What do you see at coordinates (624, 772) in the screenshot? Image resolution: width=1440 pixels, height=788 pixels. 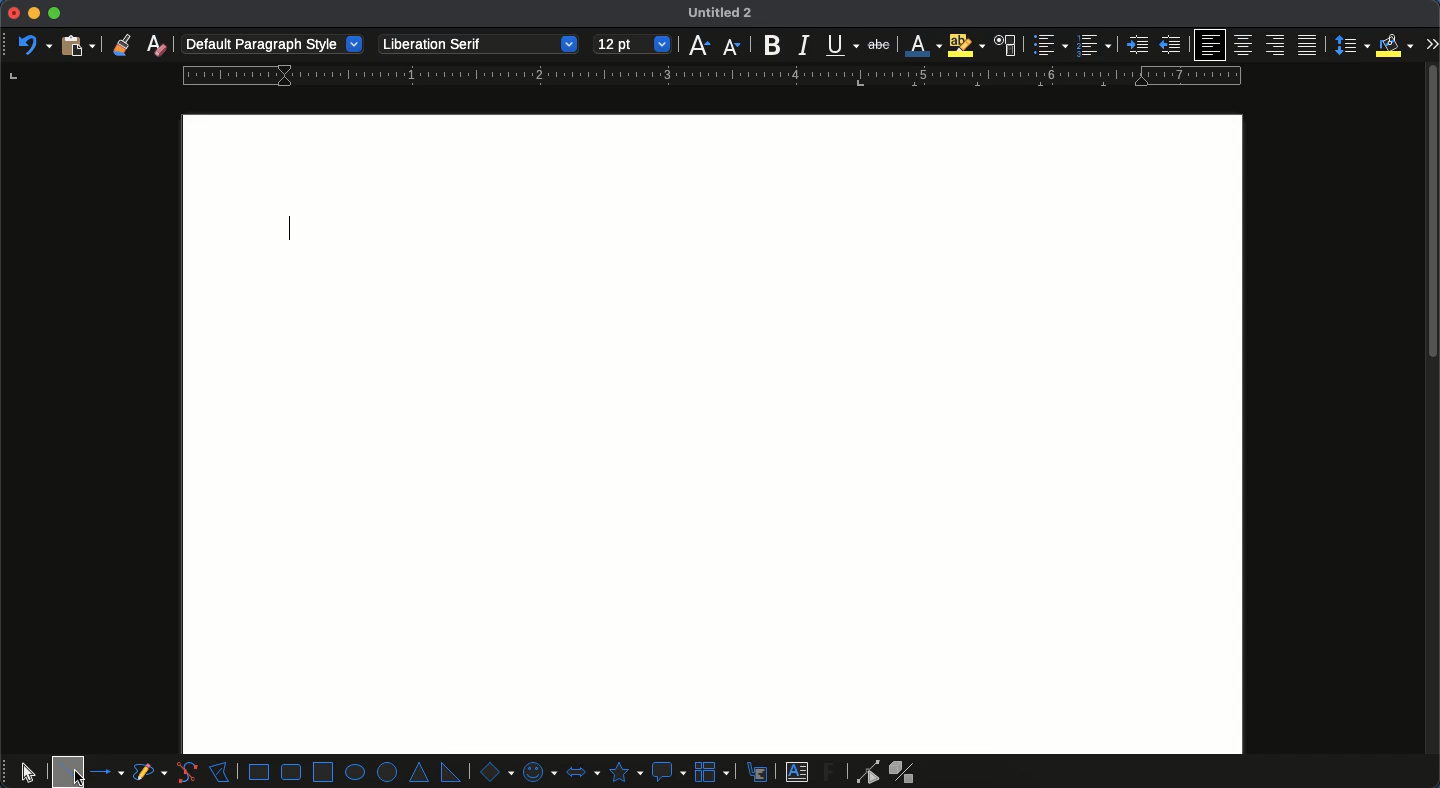 I see `stars and banners` at bounding box center [624, 772].